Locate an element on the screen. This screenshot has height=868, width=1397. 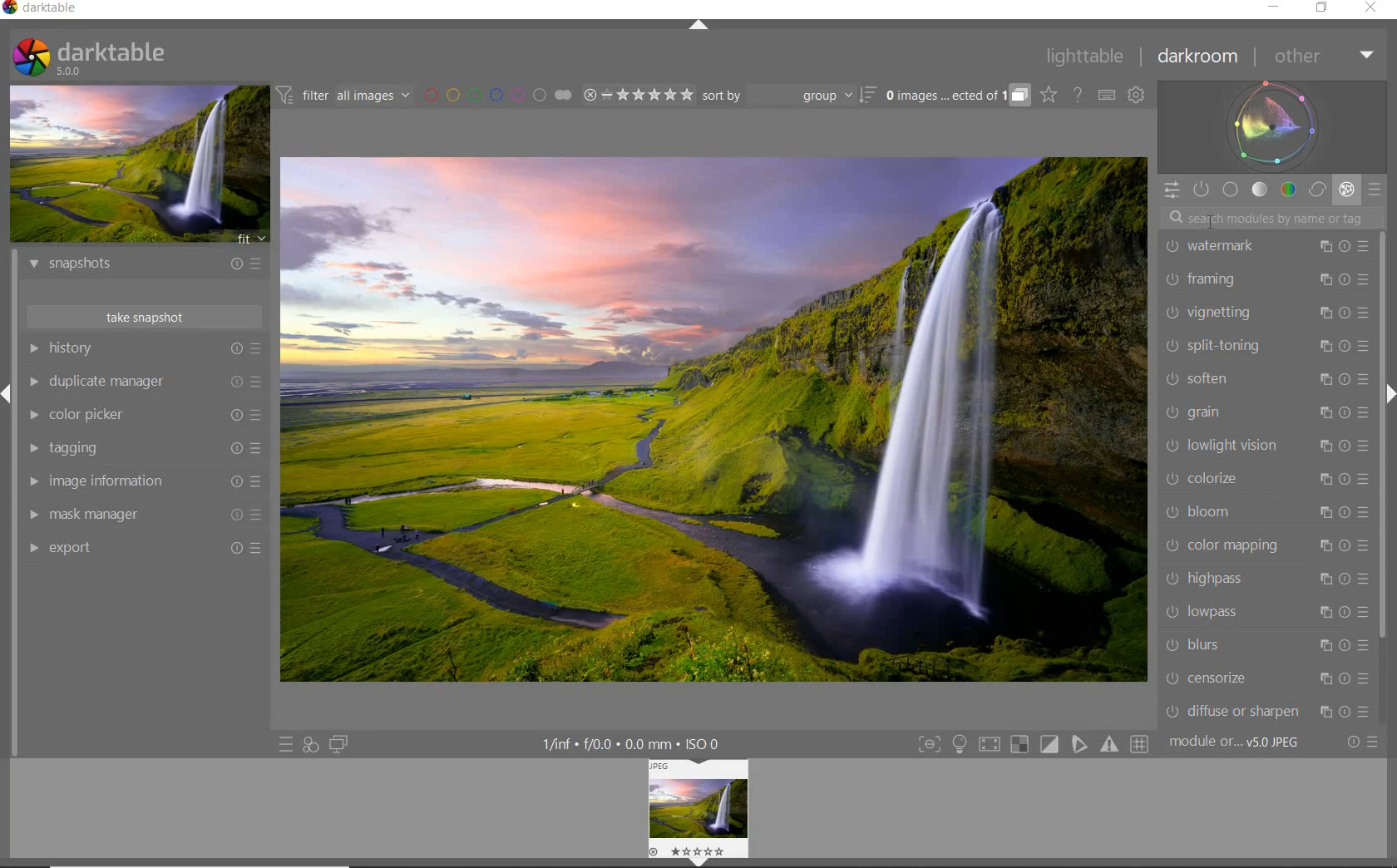
Expand/Collapse is located at coordinates (1389, 392).